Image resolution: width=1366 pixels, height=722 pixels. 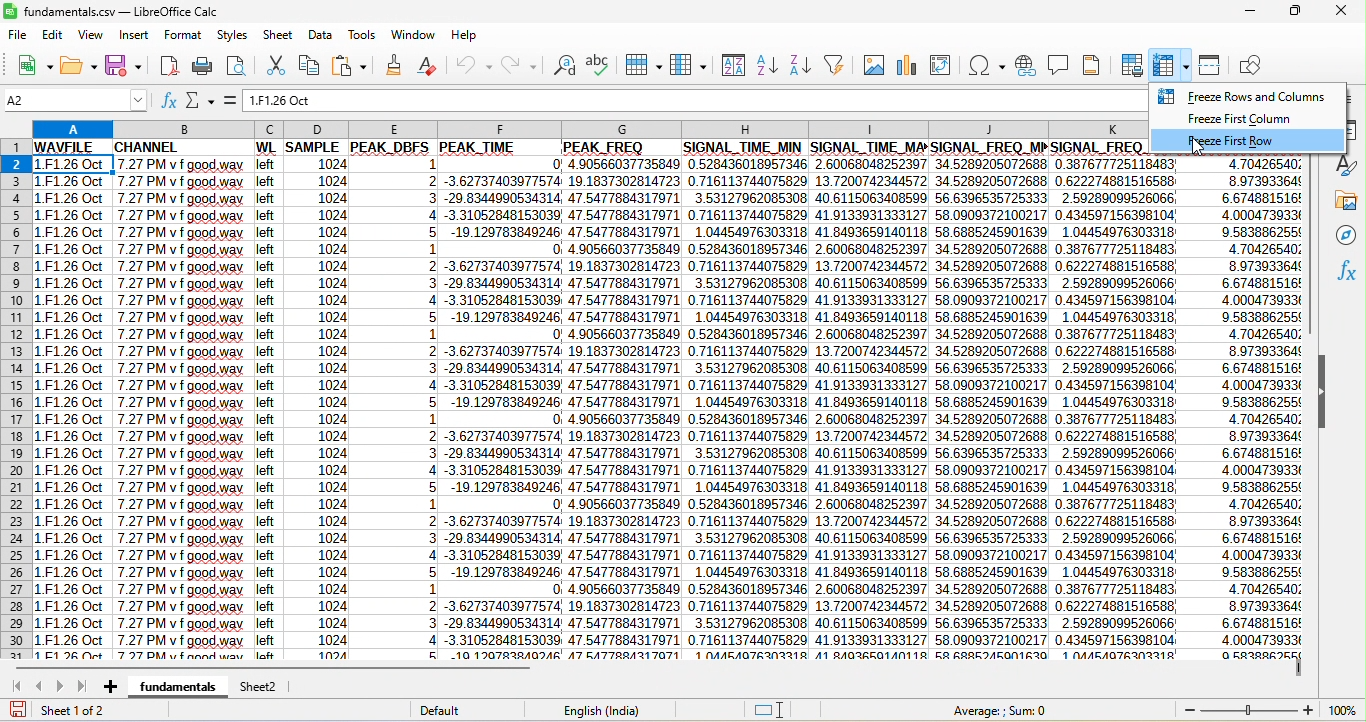 What do you see at coordinates (82, 686) in the screenshot?
I see `last sheet` at bounding box center [82, 686].